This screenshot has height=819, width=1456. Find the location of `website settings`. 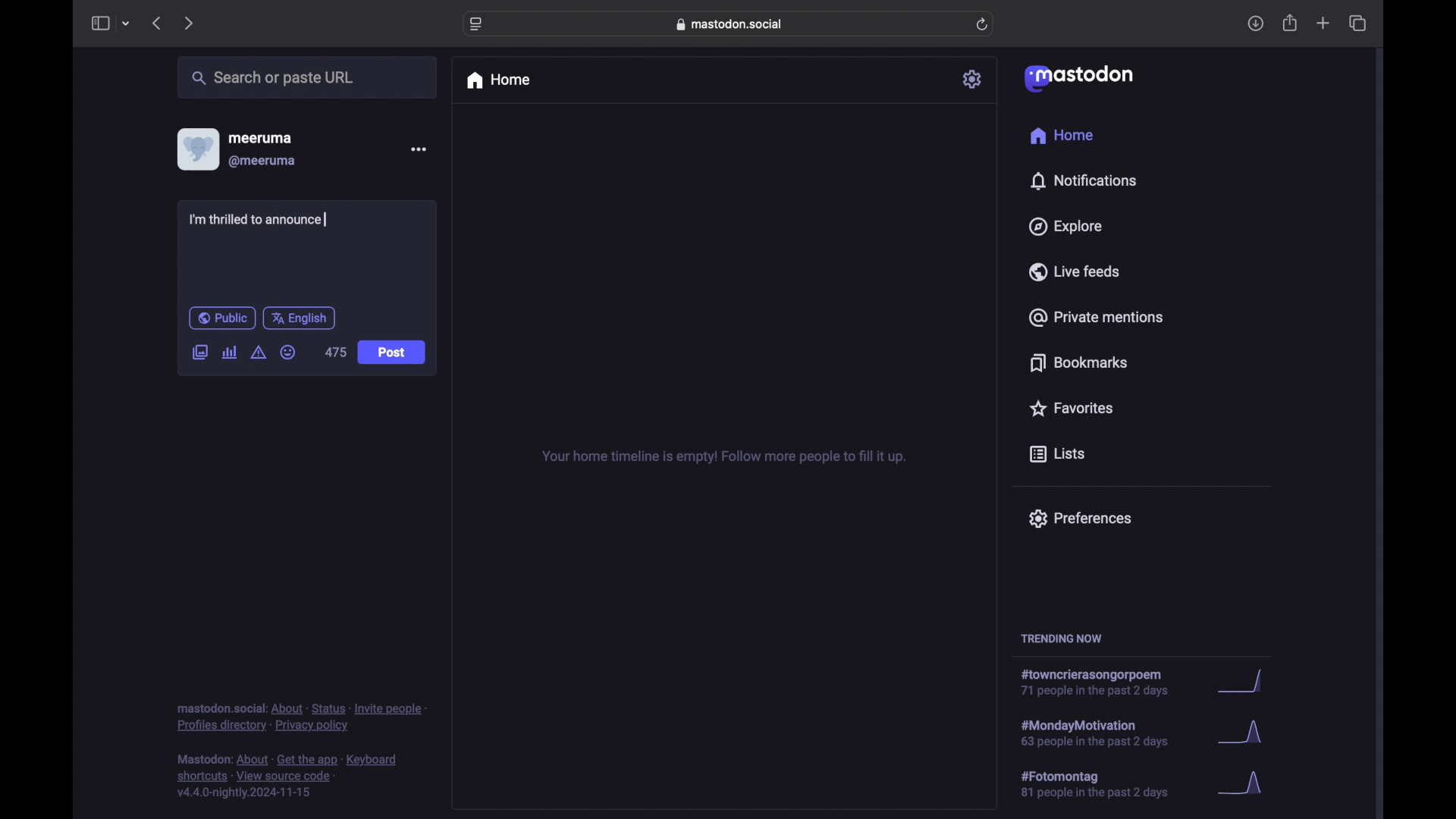

website settings is located at coordinates (476, 25).